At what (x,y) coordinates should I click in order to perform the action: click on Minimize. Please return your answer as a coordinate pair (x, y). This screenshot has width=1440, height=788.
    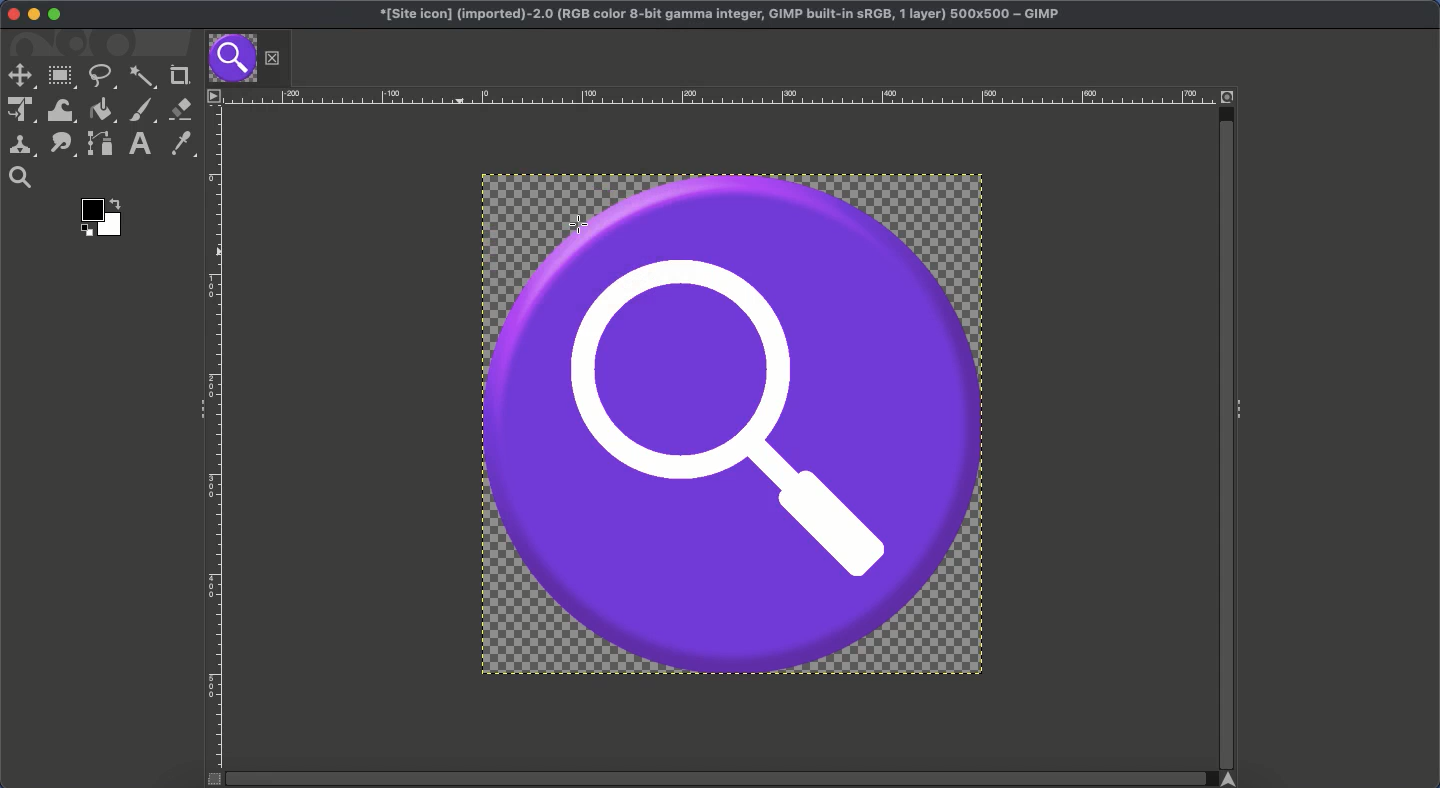
    Looking at the image, I should click on (33, 15).